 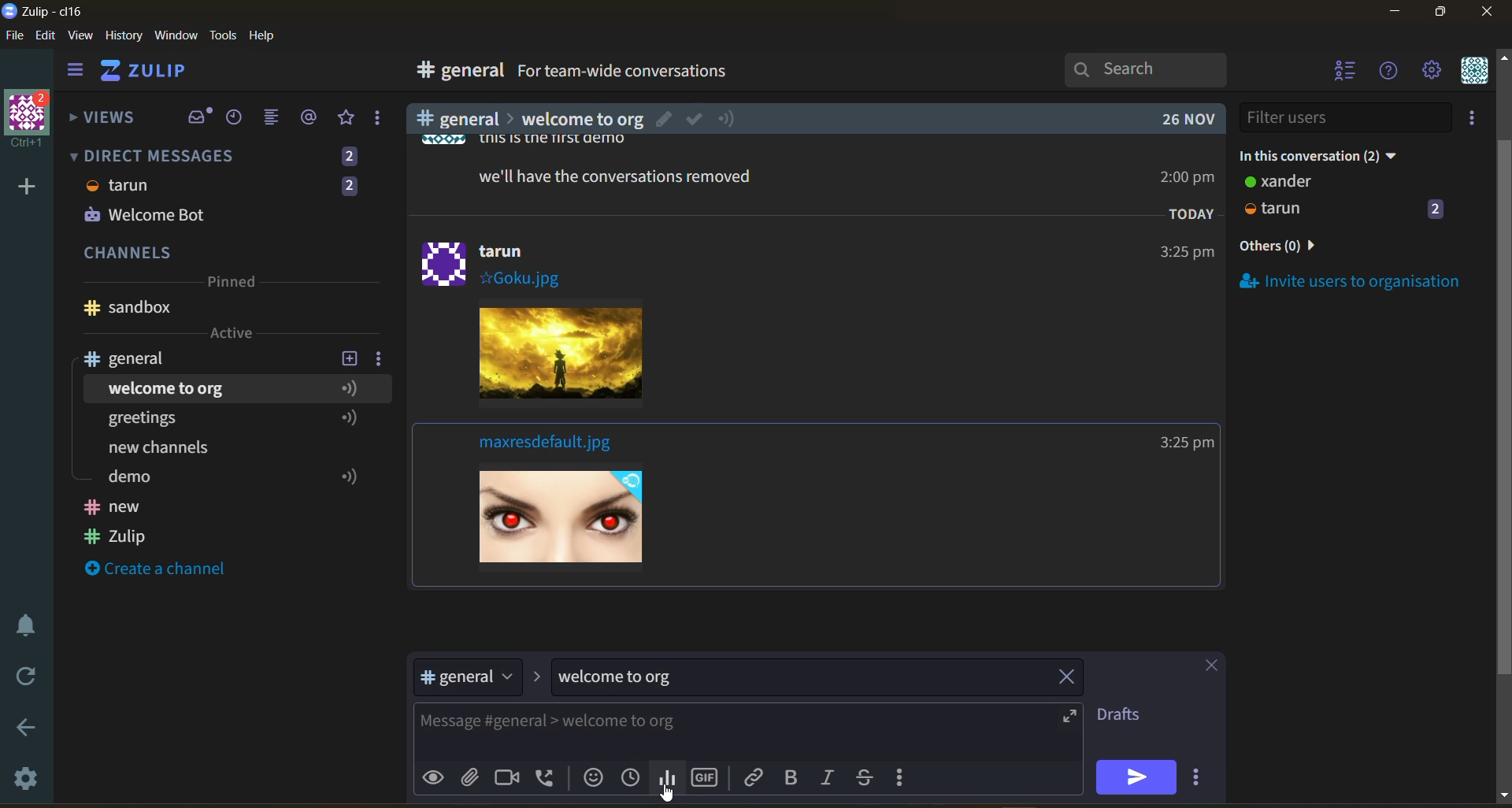 What do you see at coordinates (228, 386) in the screenshot?
I see `topics` at bounding box center [228, 386].